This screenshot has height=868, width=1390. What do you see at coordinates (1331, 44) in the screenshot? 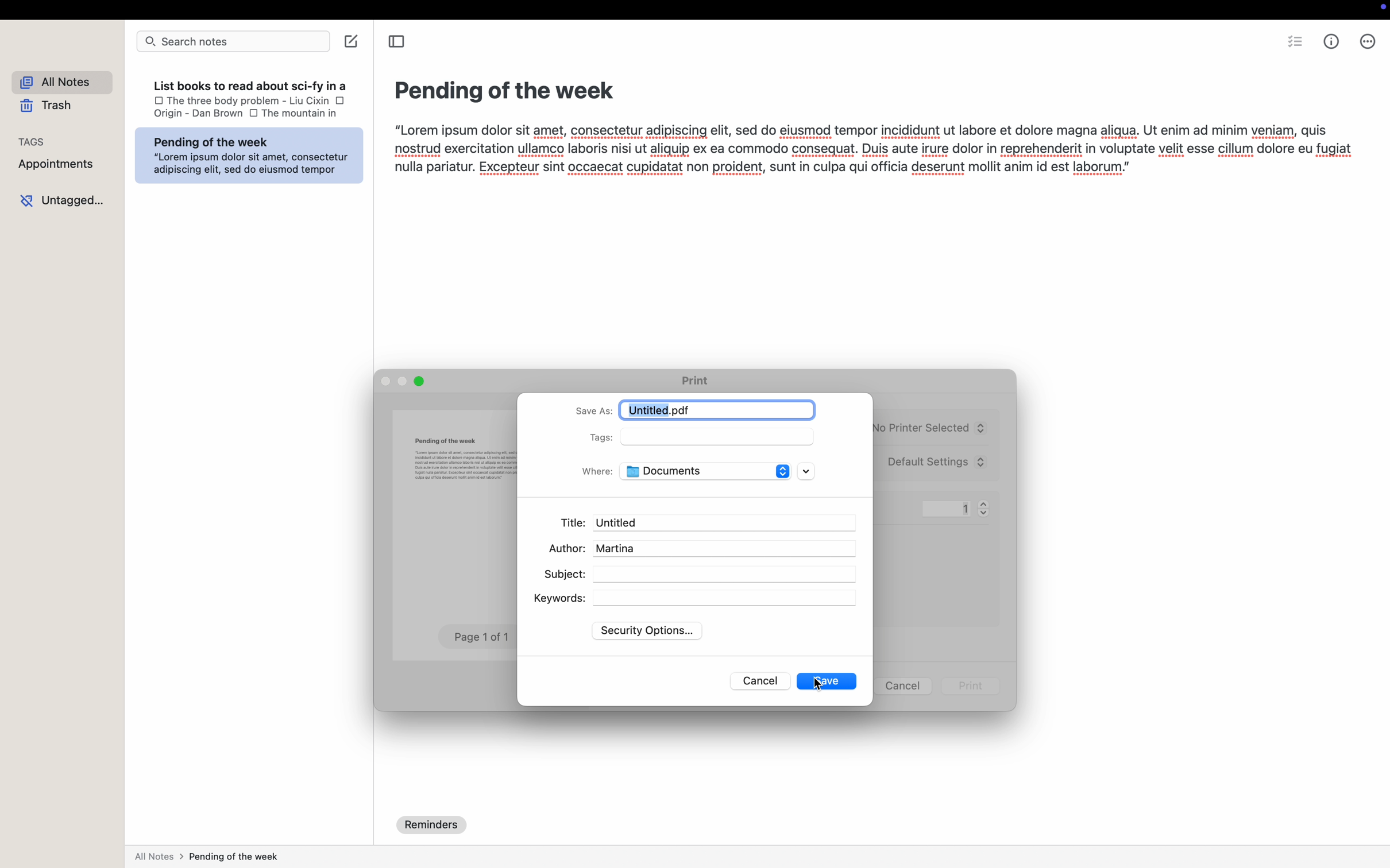
I see `metrics` at bounding box center [1331, 44].